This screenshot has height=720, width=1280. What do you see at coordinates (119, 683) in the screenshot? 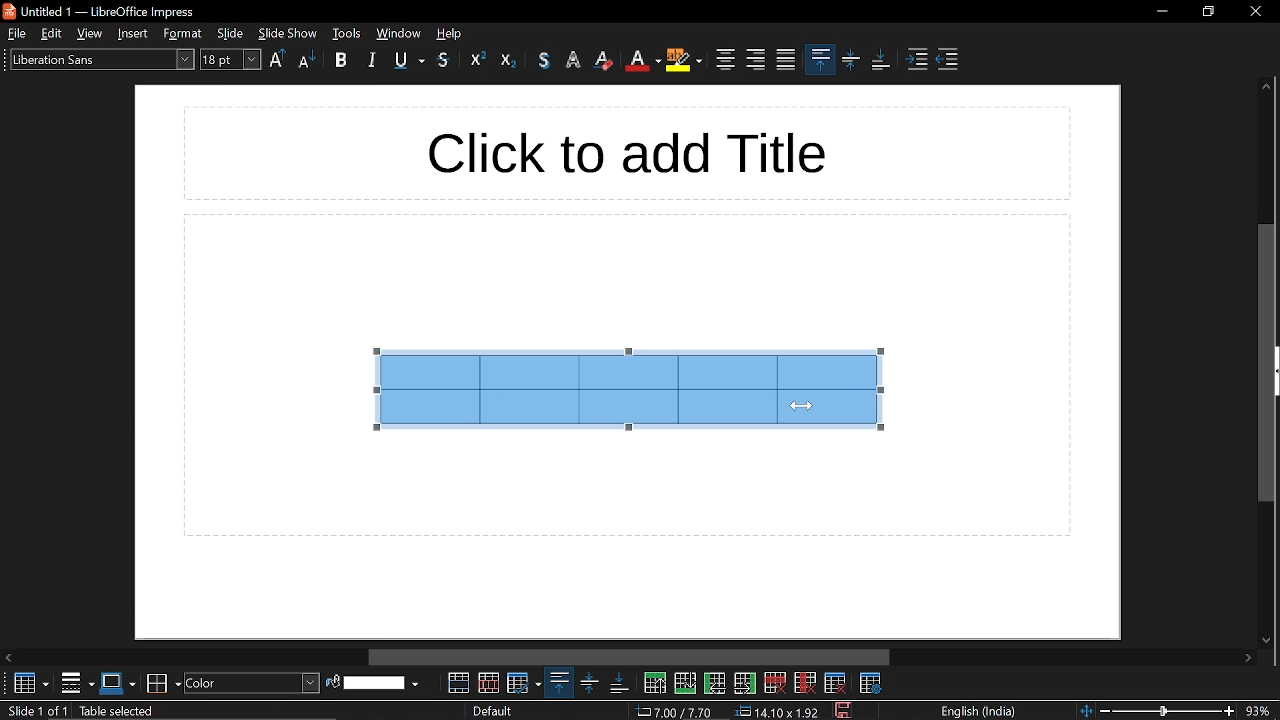
I see `border style` at bounding box center [119, 683].